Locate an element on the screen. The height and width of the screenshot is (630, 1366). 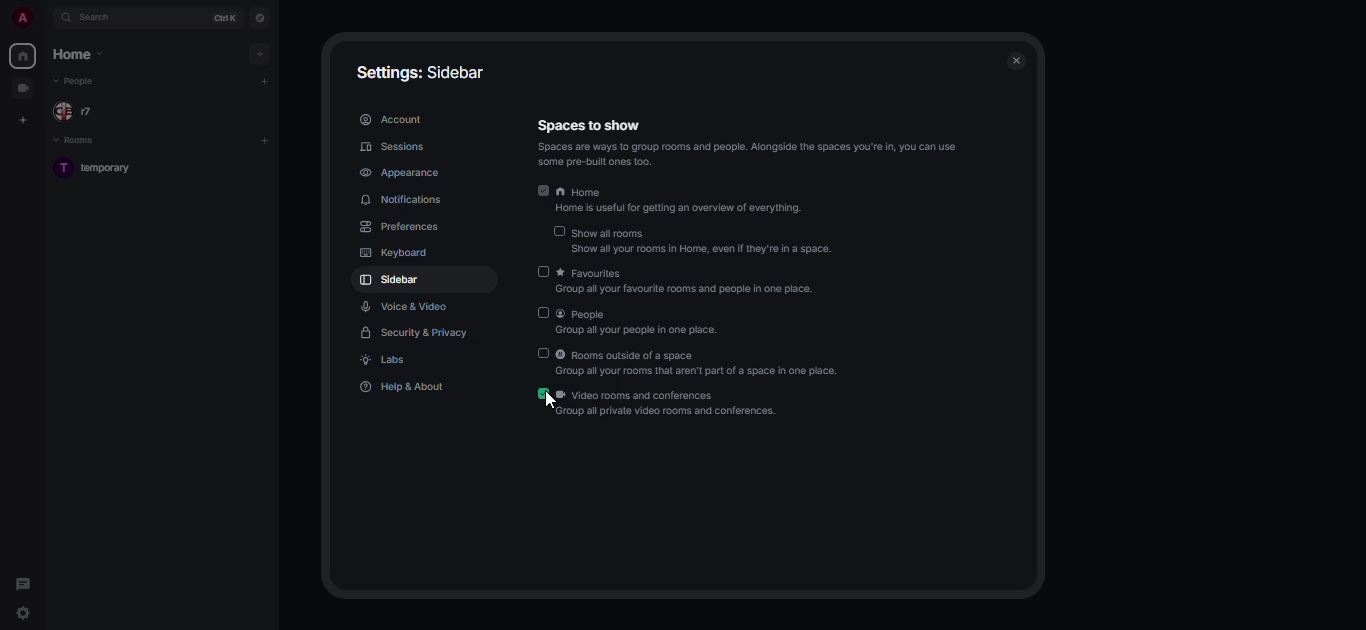
disabled is located at coordinates (544, 353).